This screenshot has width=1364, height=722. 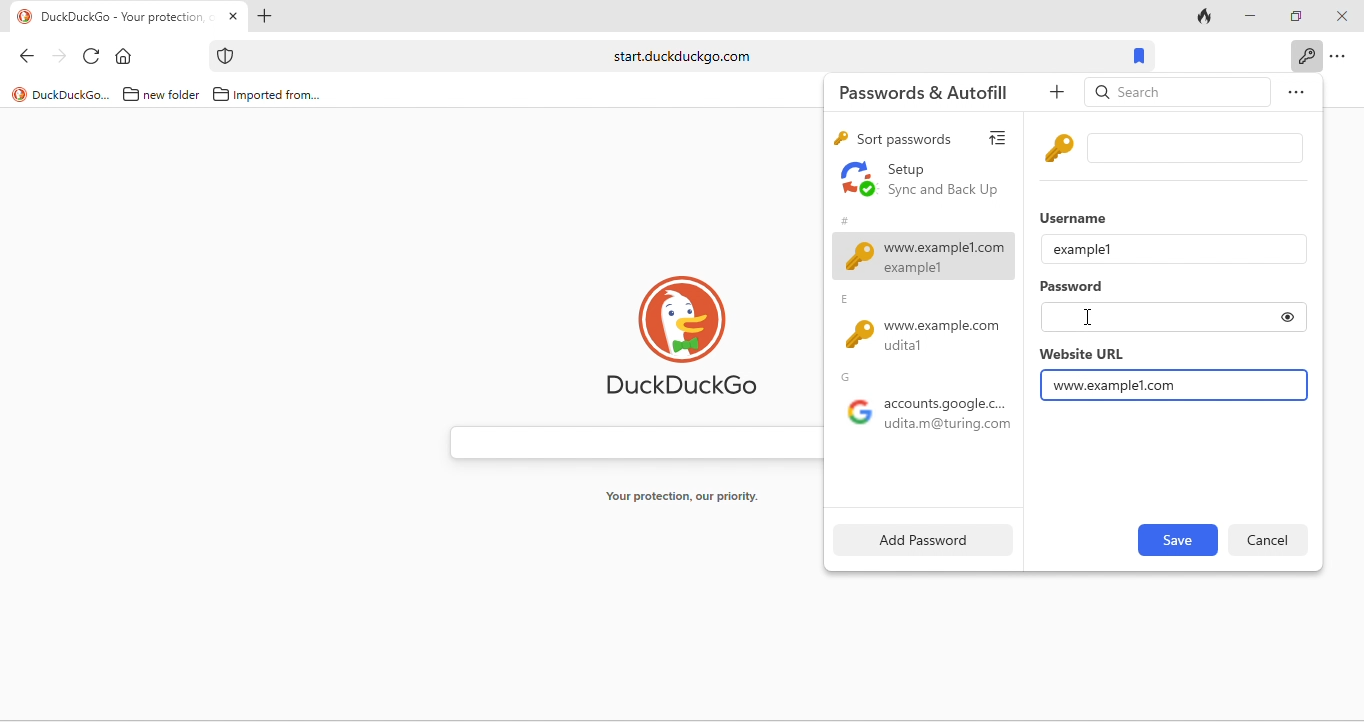 I want to click on maximize, so click(x=1292, y=14).